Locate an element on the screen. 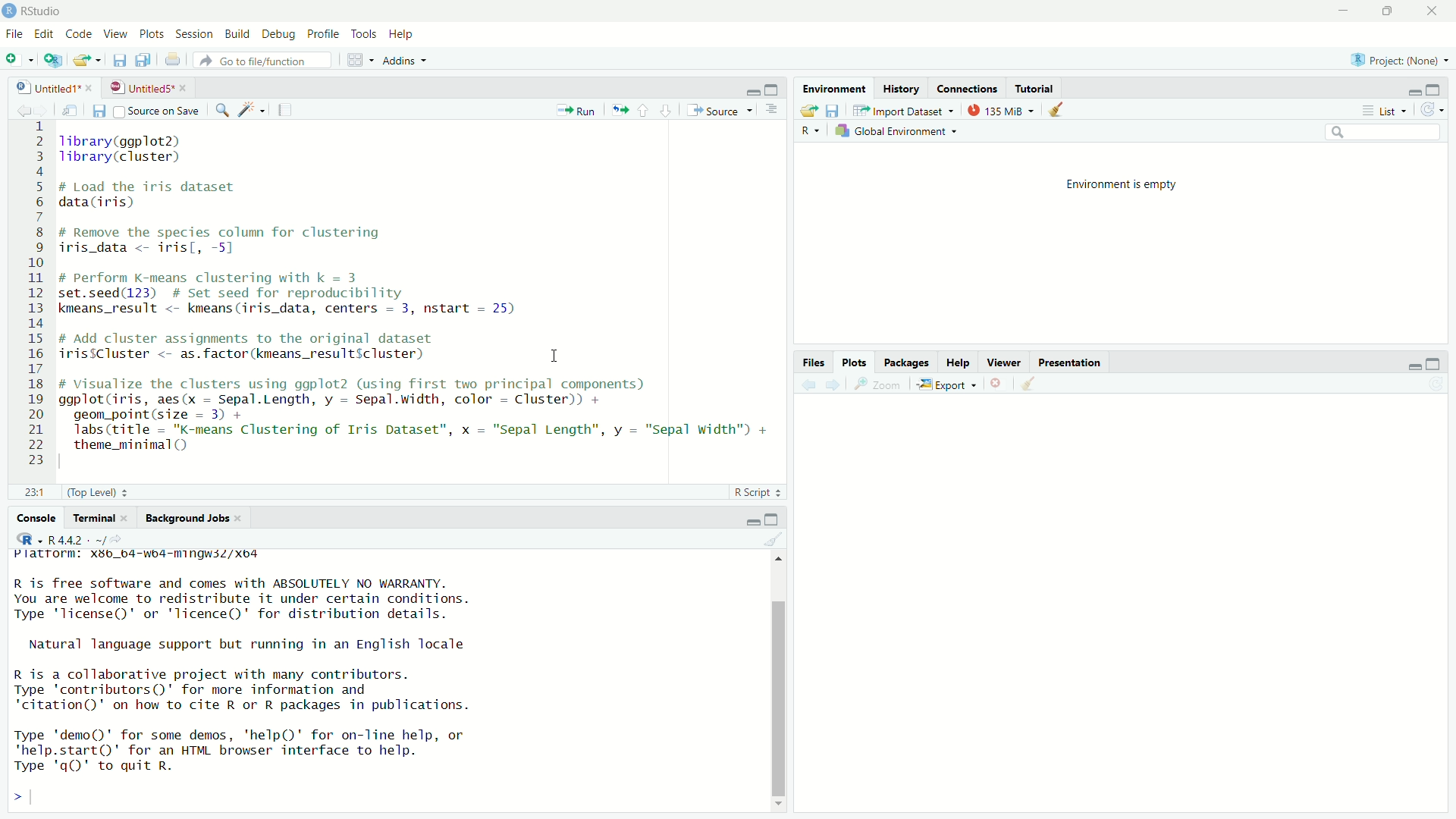 This screenshot has height=819, width=1456. Files is located at coordinates (812, 361).